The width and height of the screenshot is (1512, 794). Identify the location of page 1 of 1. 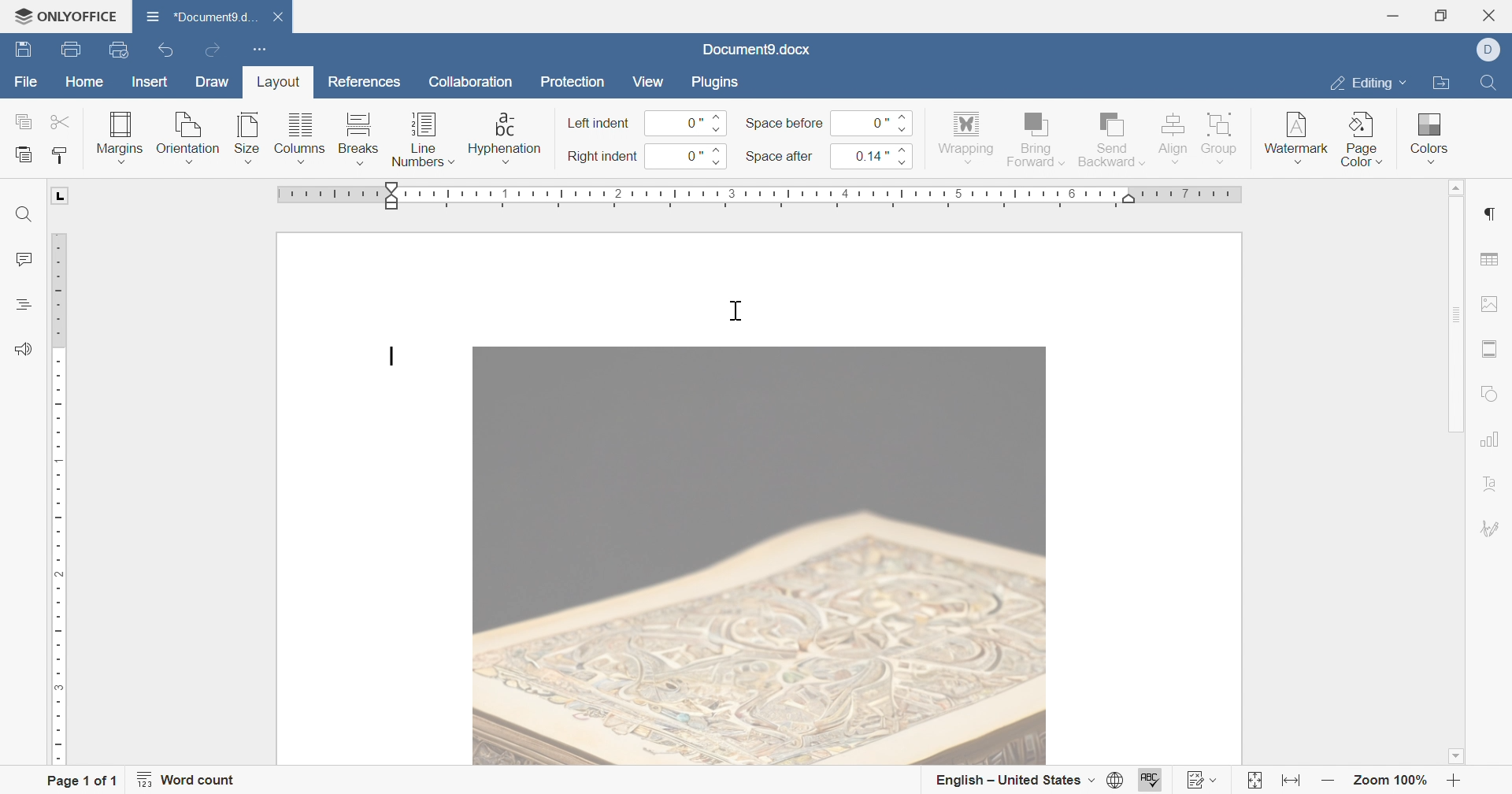
(81, 782).